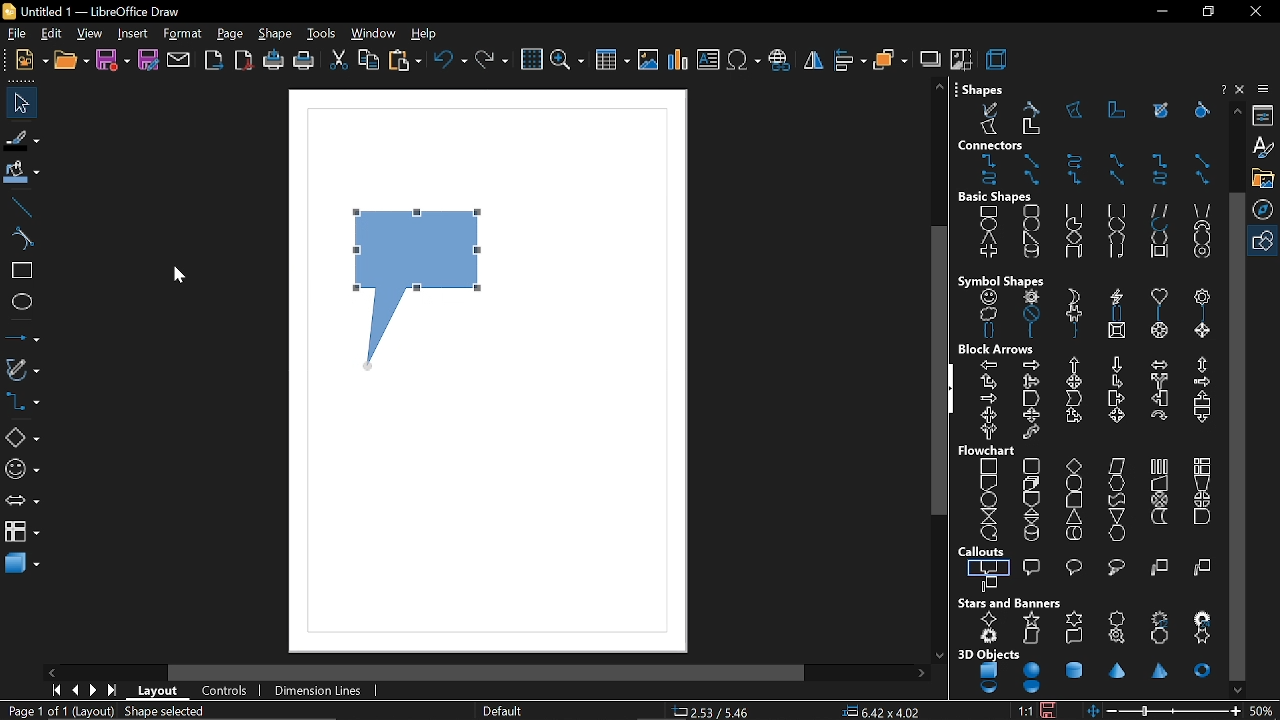 This screenshot has width=1280, height=720. What do you see at coordinates (1076, 180) in the screenshot?
I see `connector with arrows` at bounding box center [1076, 180].